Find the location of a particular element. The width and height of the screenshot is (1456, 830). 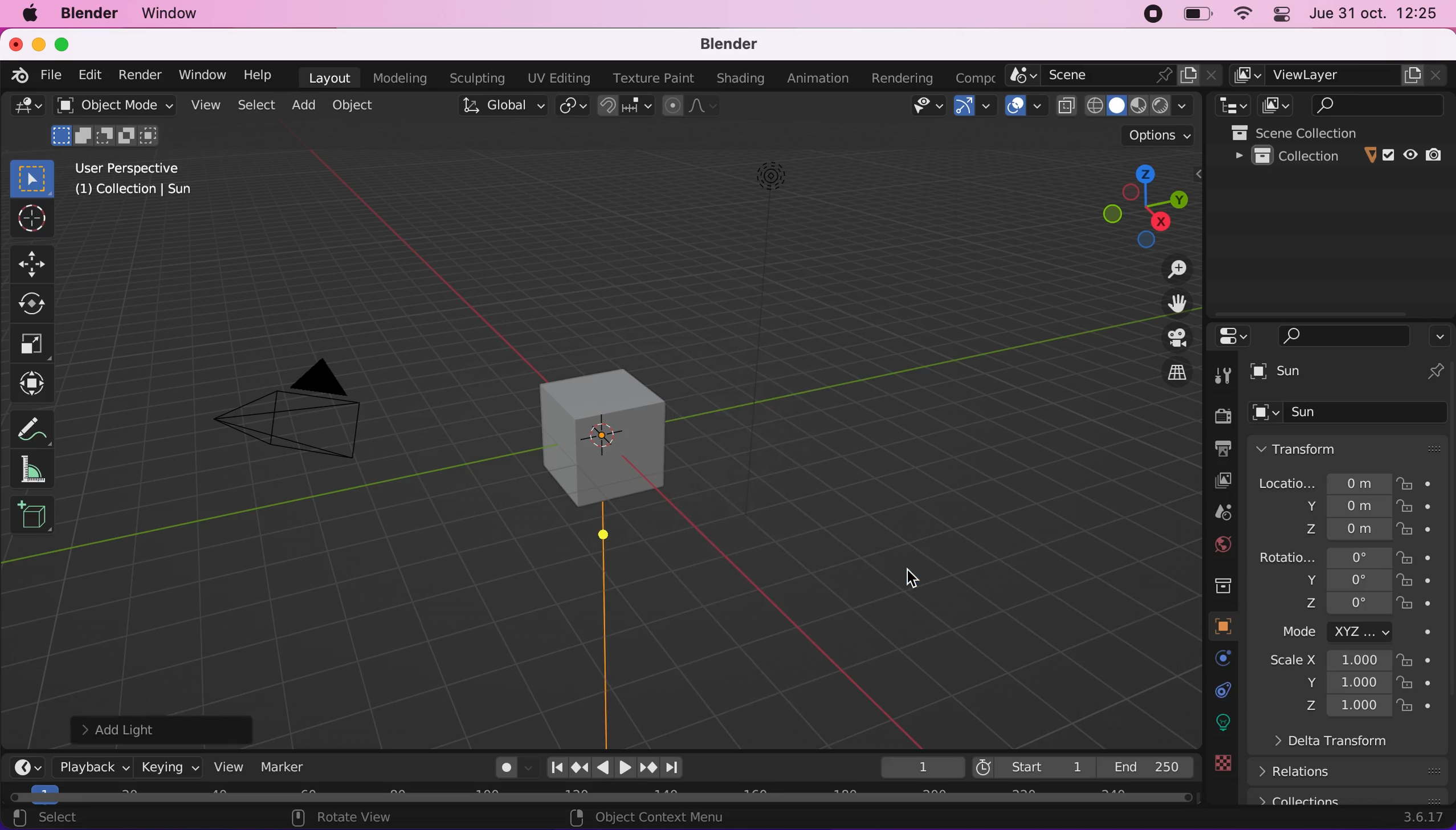

lock is located at coordinates (1427, 582).